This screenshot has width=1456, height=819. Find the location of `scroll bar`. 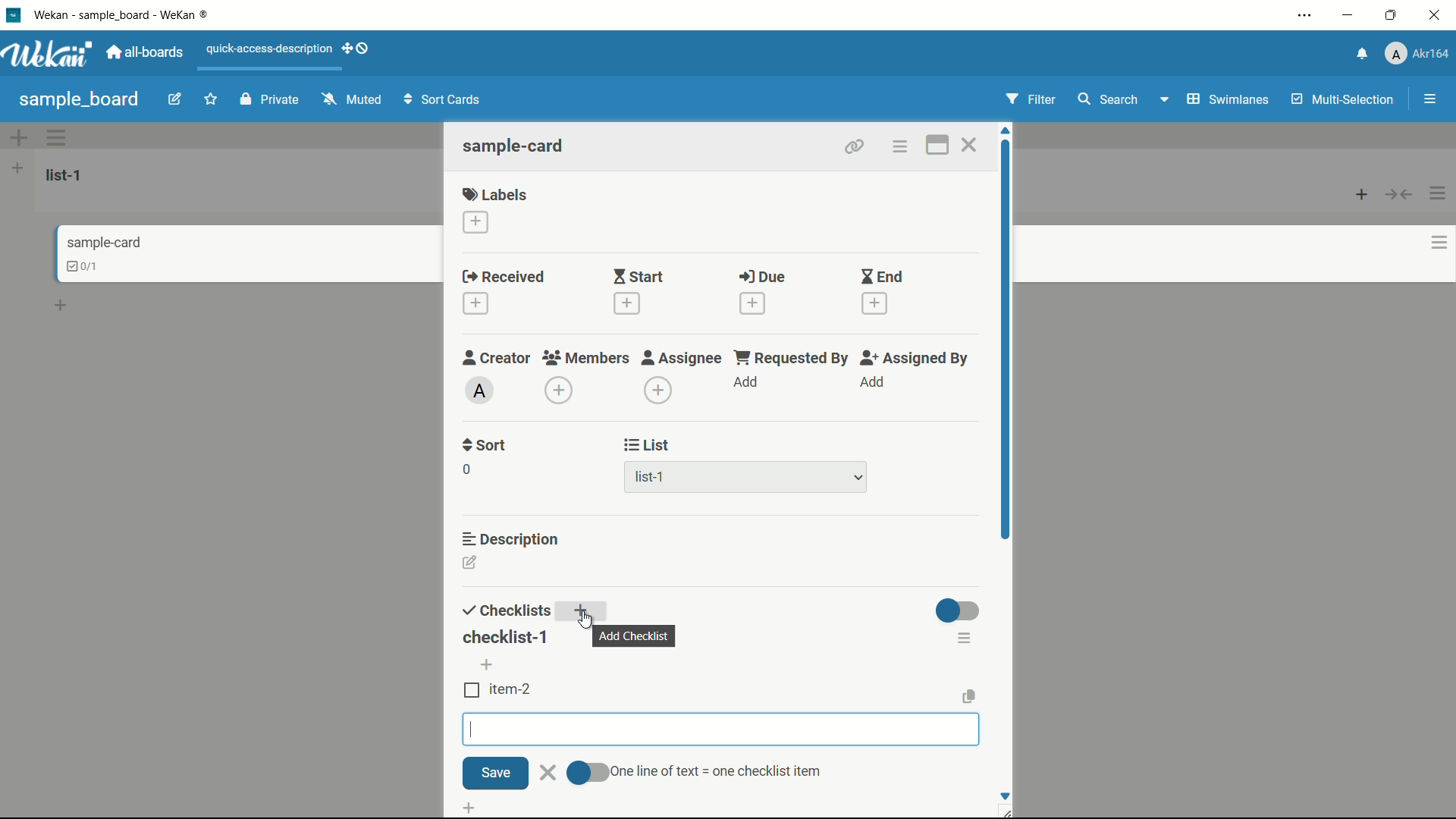

scroll bar is located at coordinates (1007, 378).